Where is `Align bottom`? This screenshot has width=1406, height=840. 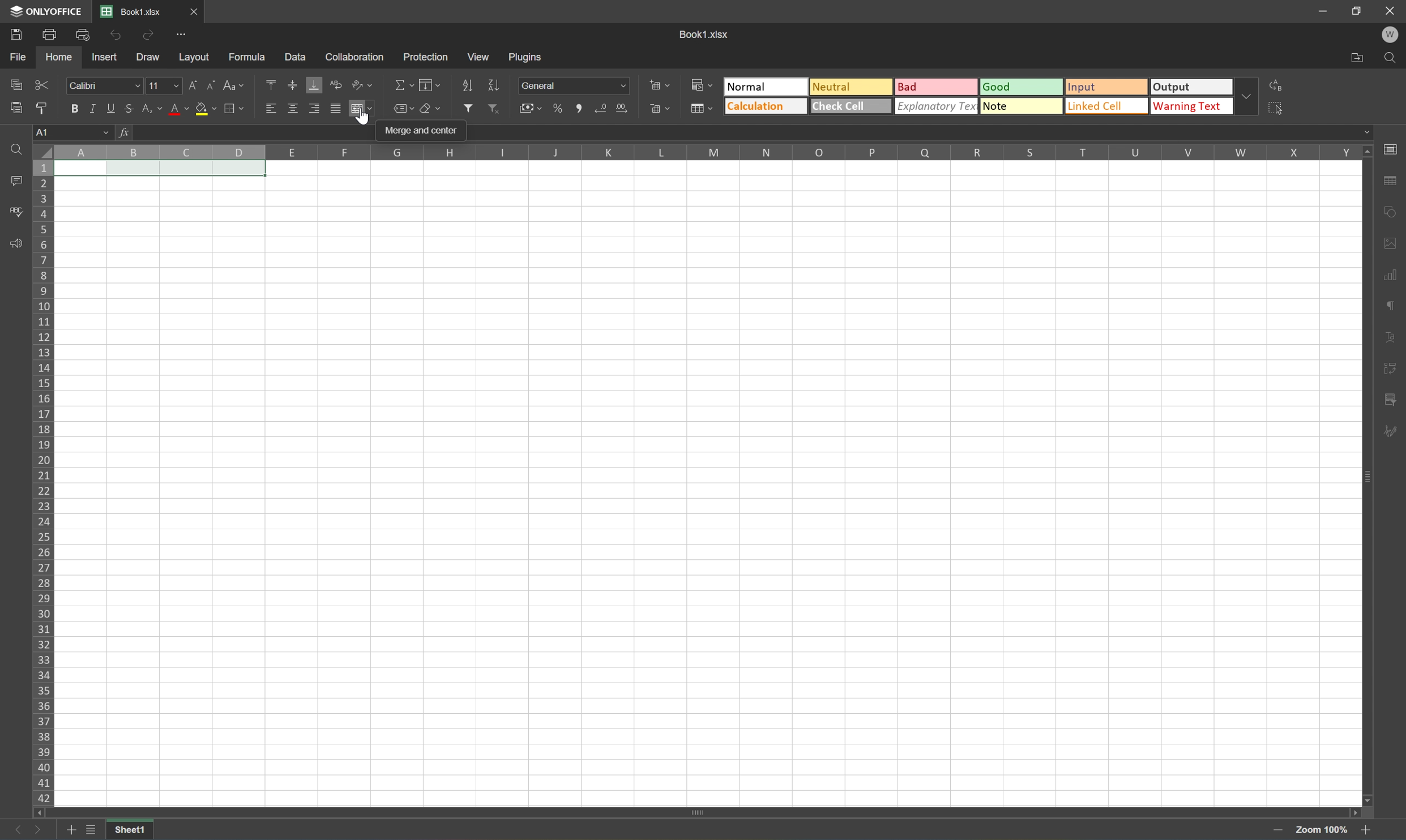
Align bottom is located at coordinates (314, 84).